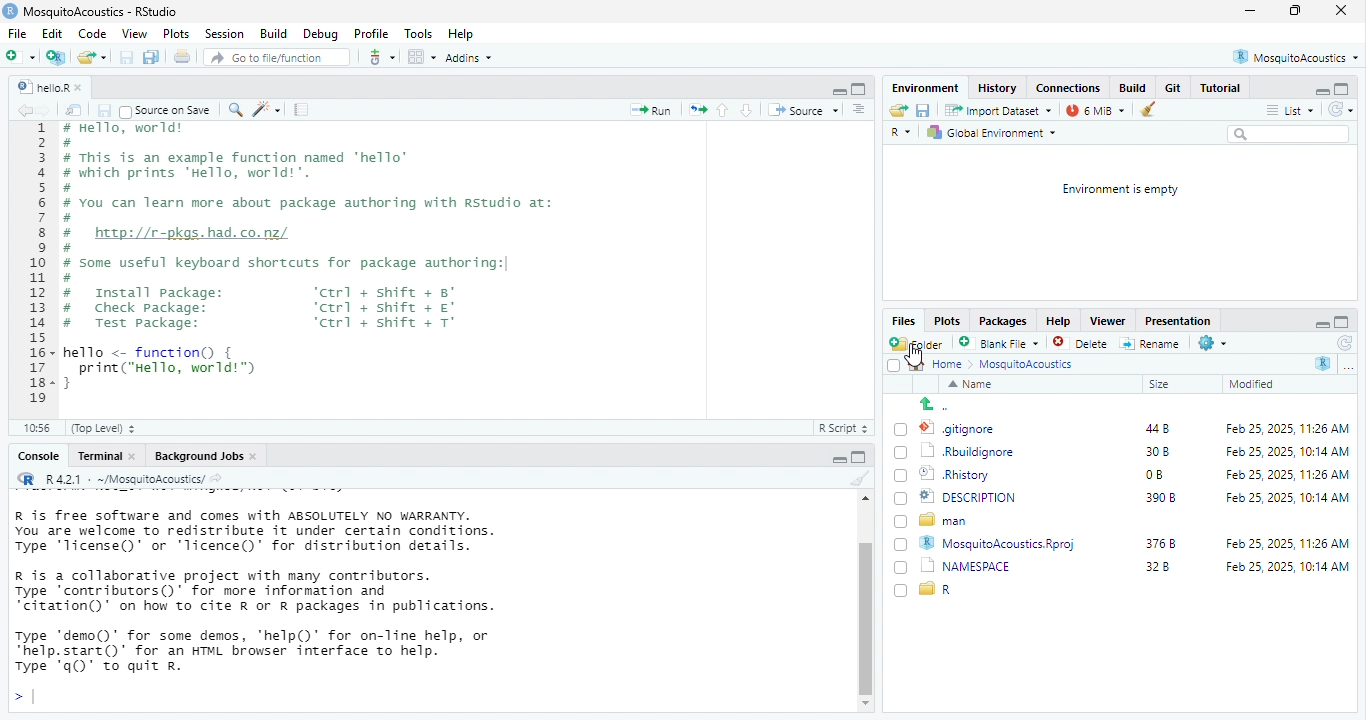 This screenshot has height=720, width=1366. Describe the element at coordinates (57, 57) in the screenshot. I see `create a project` at that location.